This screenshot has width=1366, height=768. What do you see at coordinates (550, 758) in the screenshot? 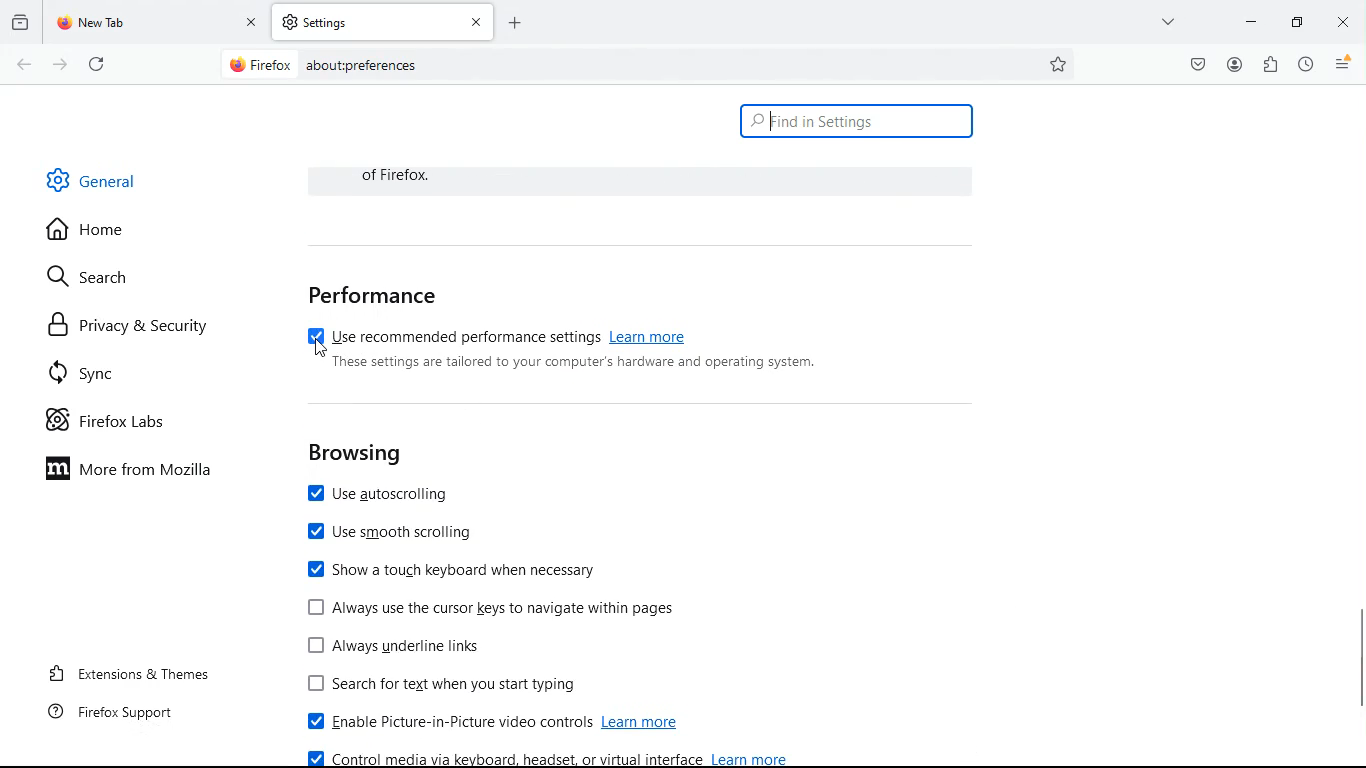
I see `control media via keyboard, headset, or virtual interface learn more` at bounding box center [550, 758].